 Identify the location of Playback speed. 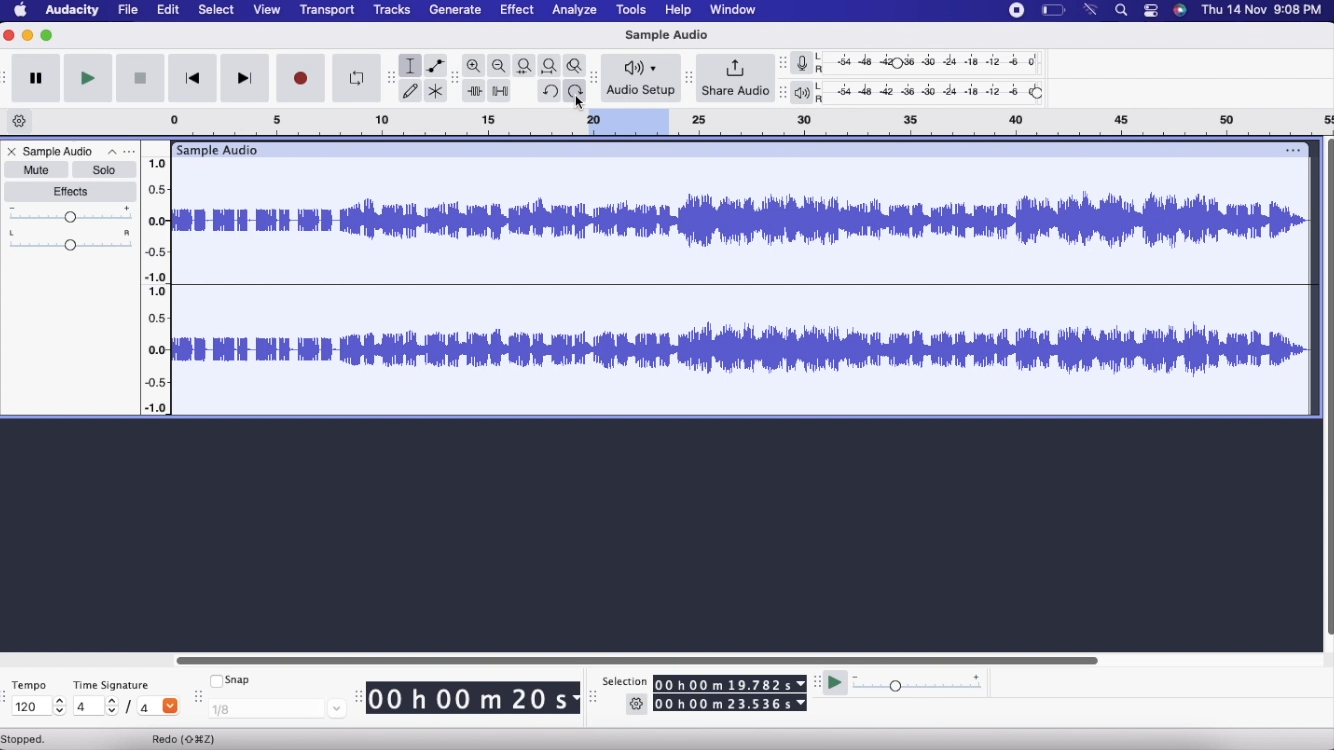
(917, 684).